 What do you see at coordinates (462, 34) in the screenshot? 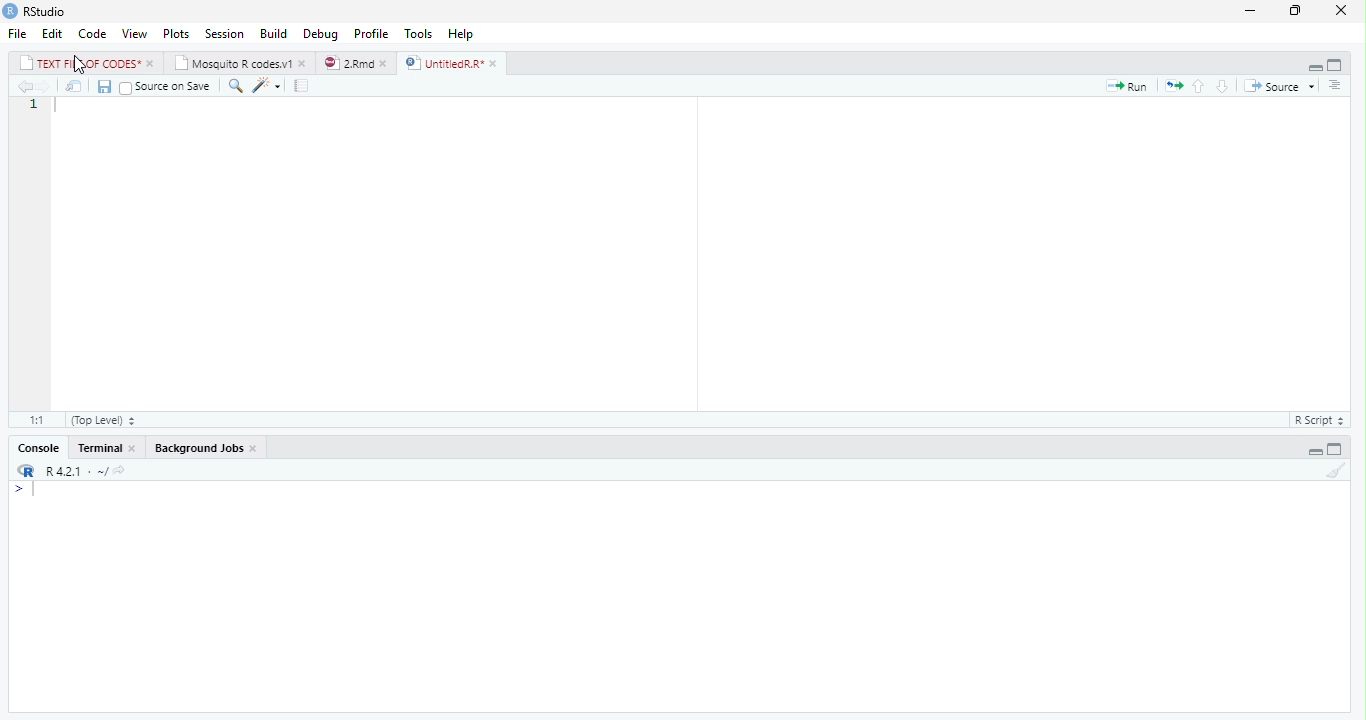
I see `Help` at bounding box center [462, 34].